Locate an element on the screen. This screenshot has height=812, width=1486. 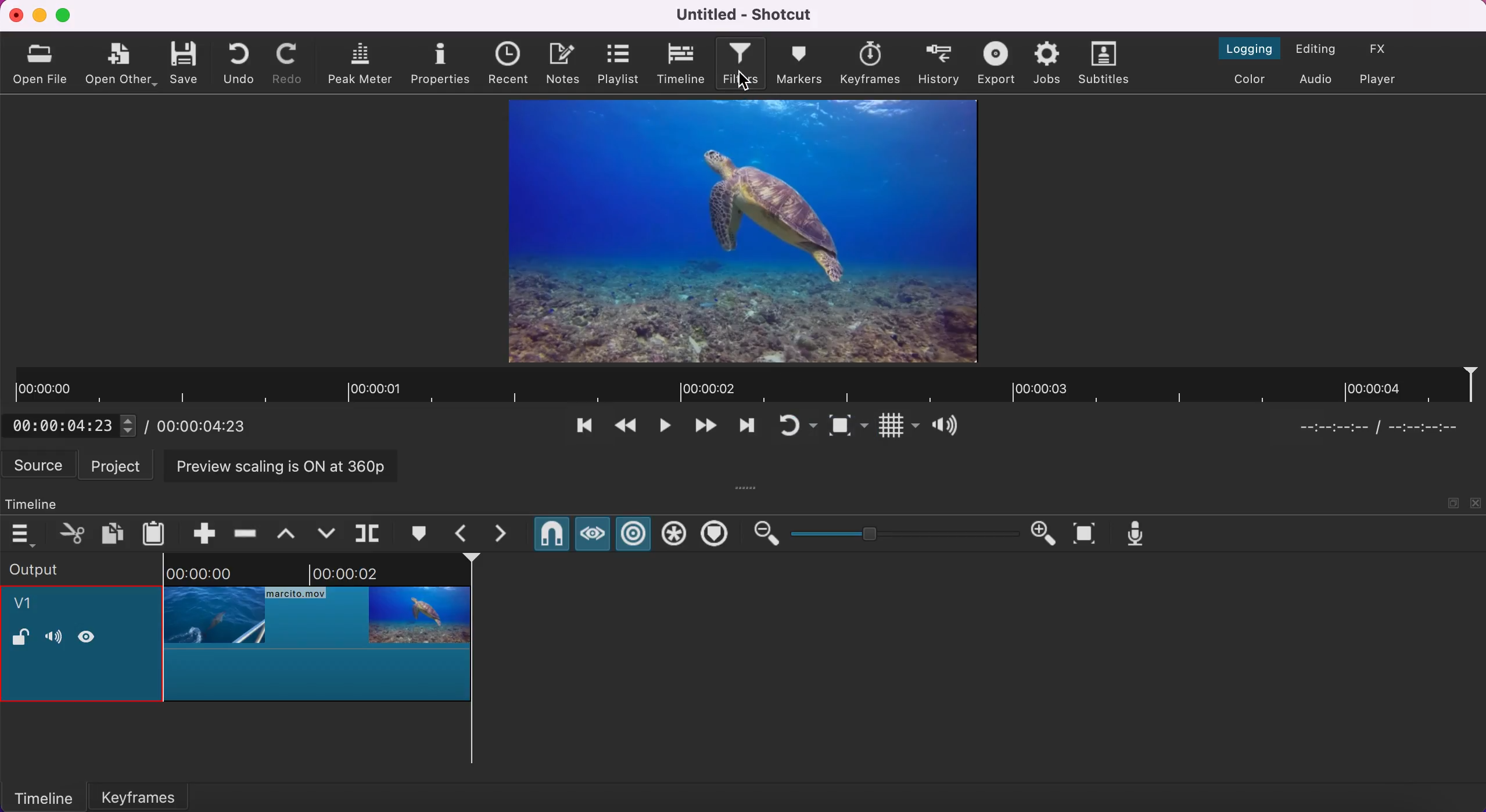
next marker is located at coordinates (508, 534).